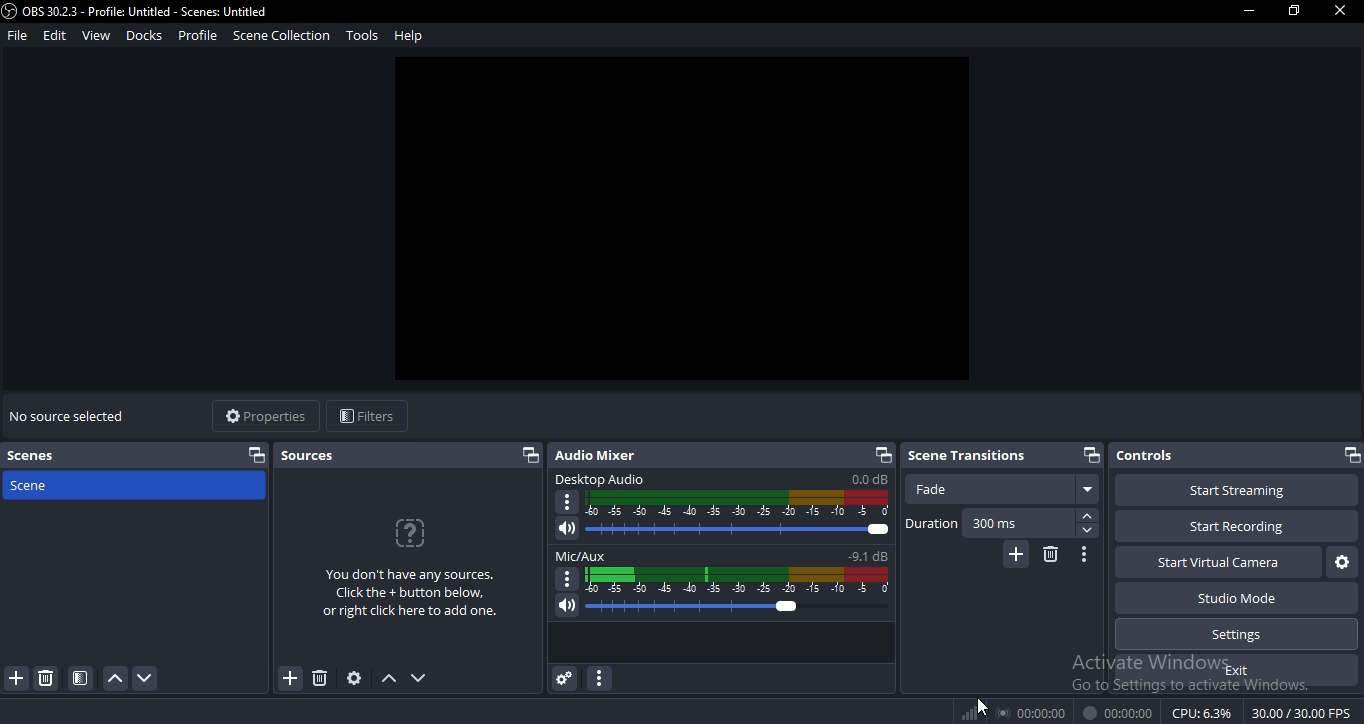 This screenshot has height=724, width=1364. I want to click on You don't have any sources.
Click the + button below,
or right click here to add one., so click(407, 591).